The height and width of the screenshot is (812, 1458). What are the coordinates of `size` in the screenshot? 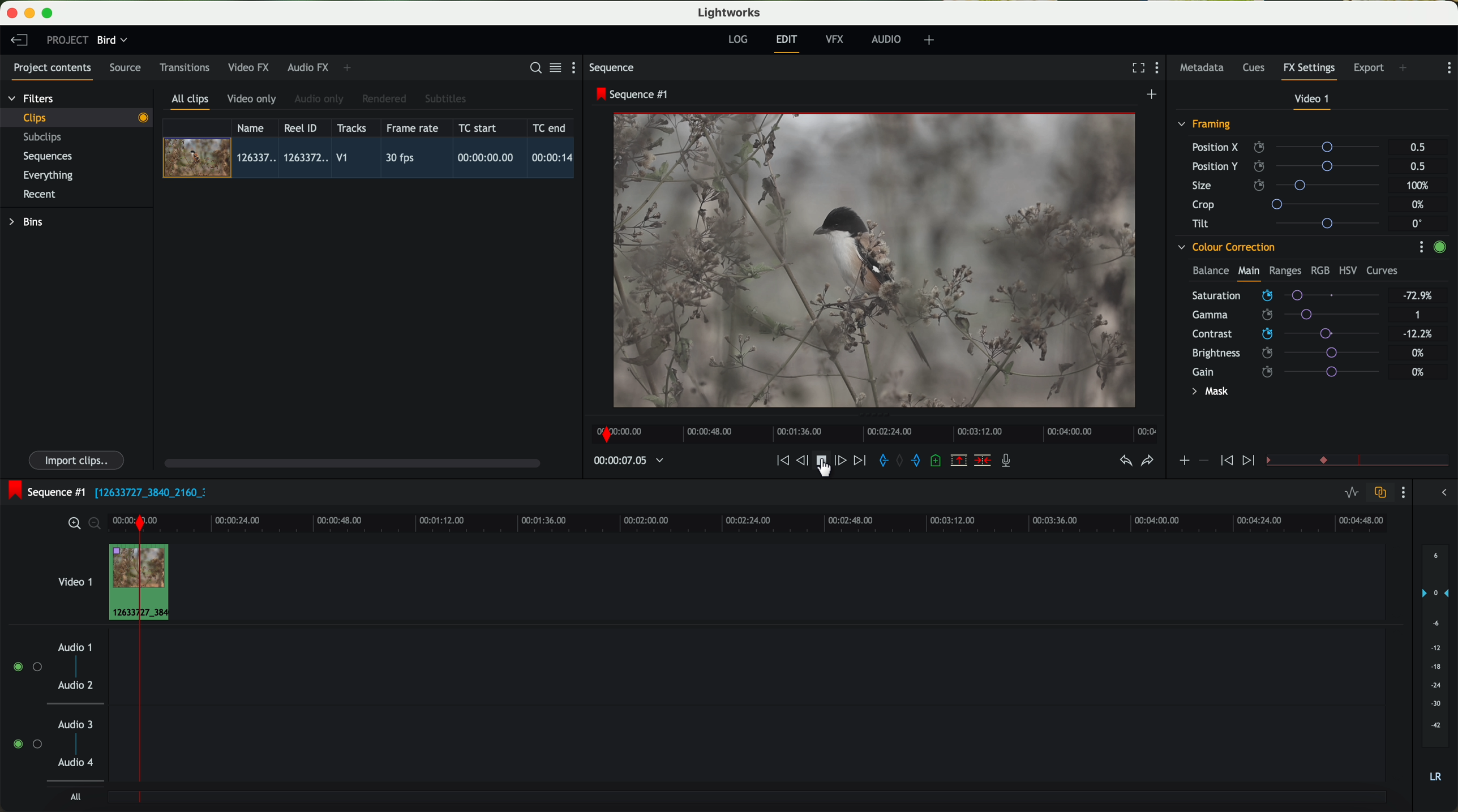 It's located at (1289, 186).